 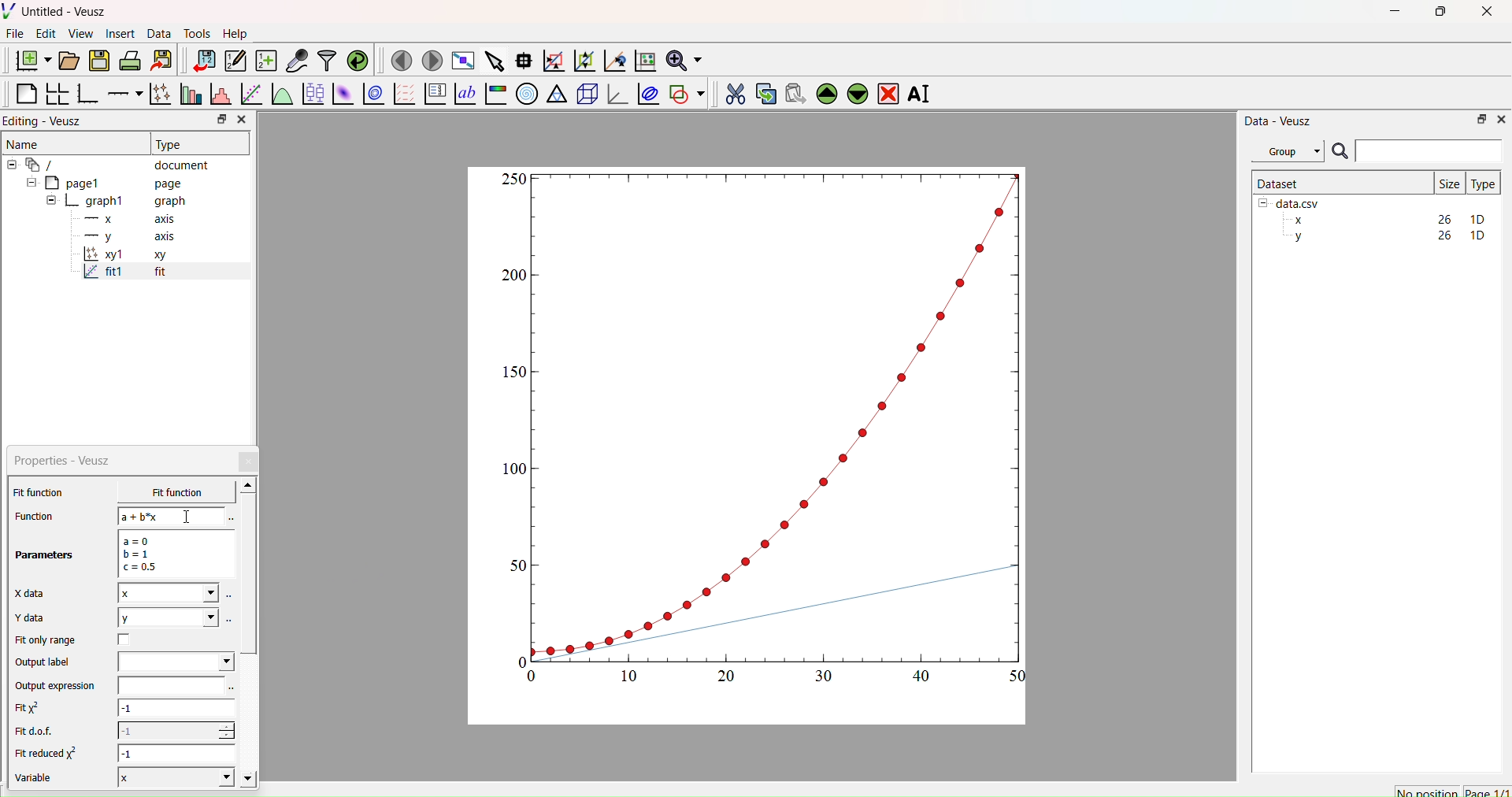 I want to click on Add an axis to plot, so click(x=120, y=92).